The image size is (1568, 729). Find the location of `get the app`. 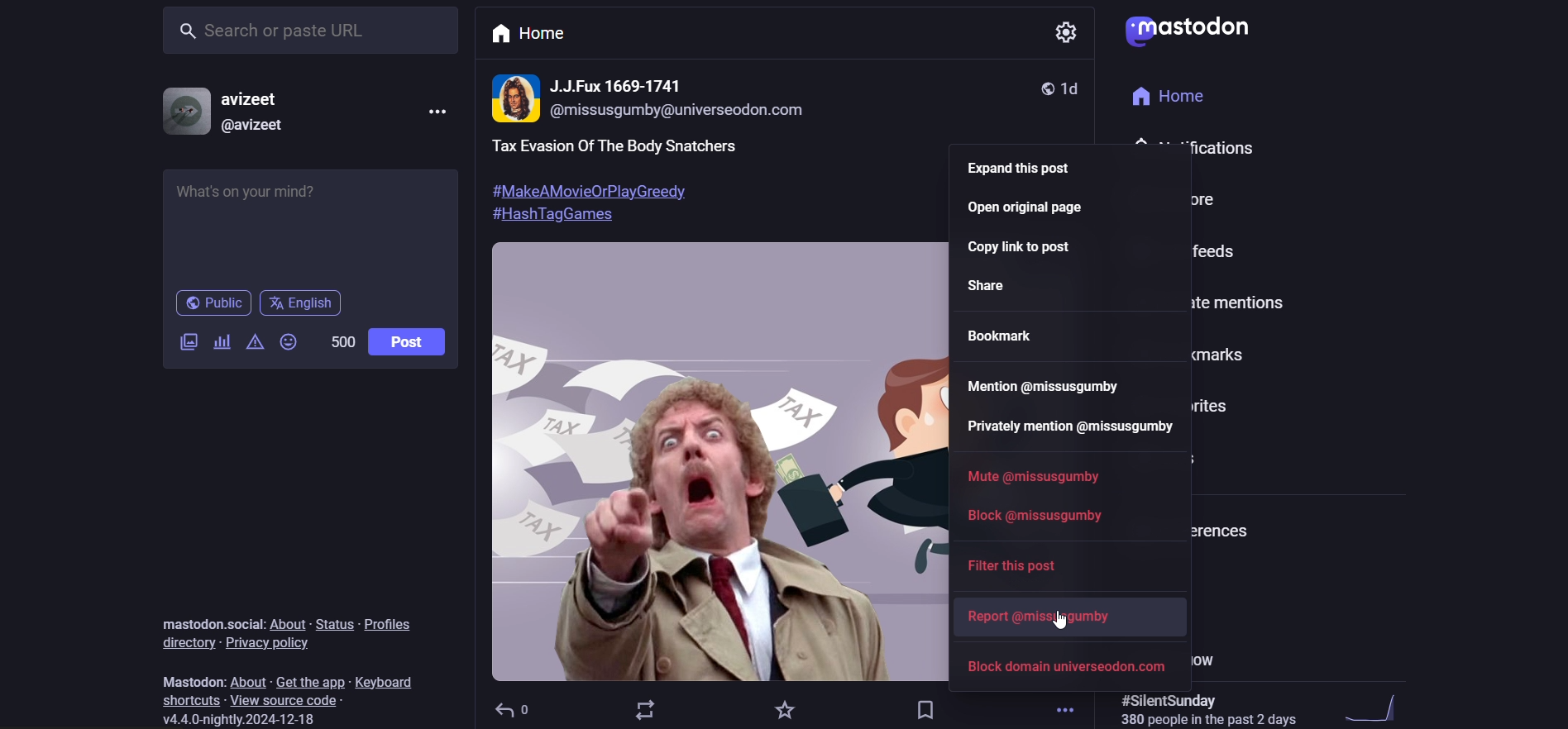

get the app is located at coordinates (308, 680).